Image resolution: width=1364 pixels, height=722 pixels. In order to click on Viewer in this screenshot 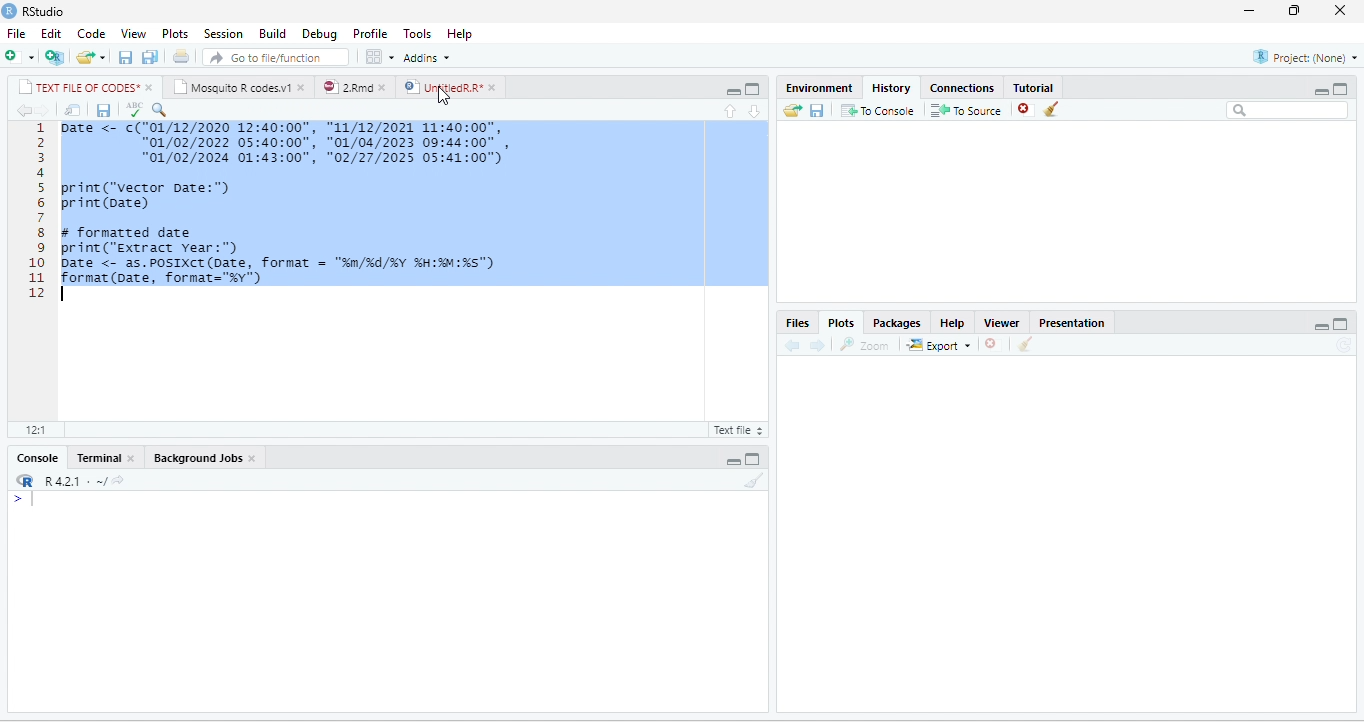, I will do `click(1001, 323)`.